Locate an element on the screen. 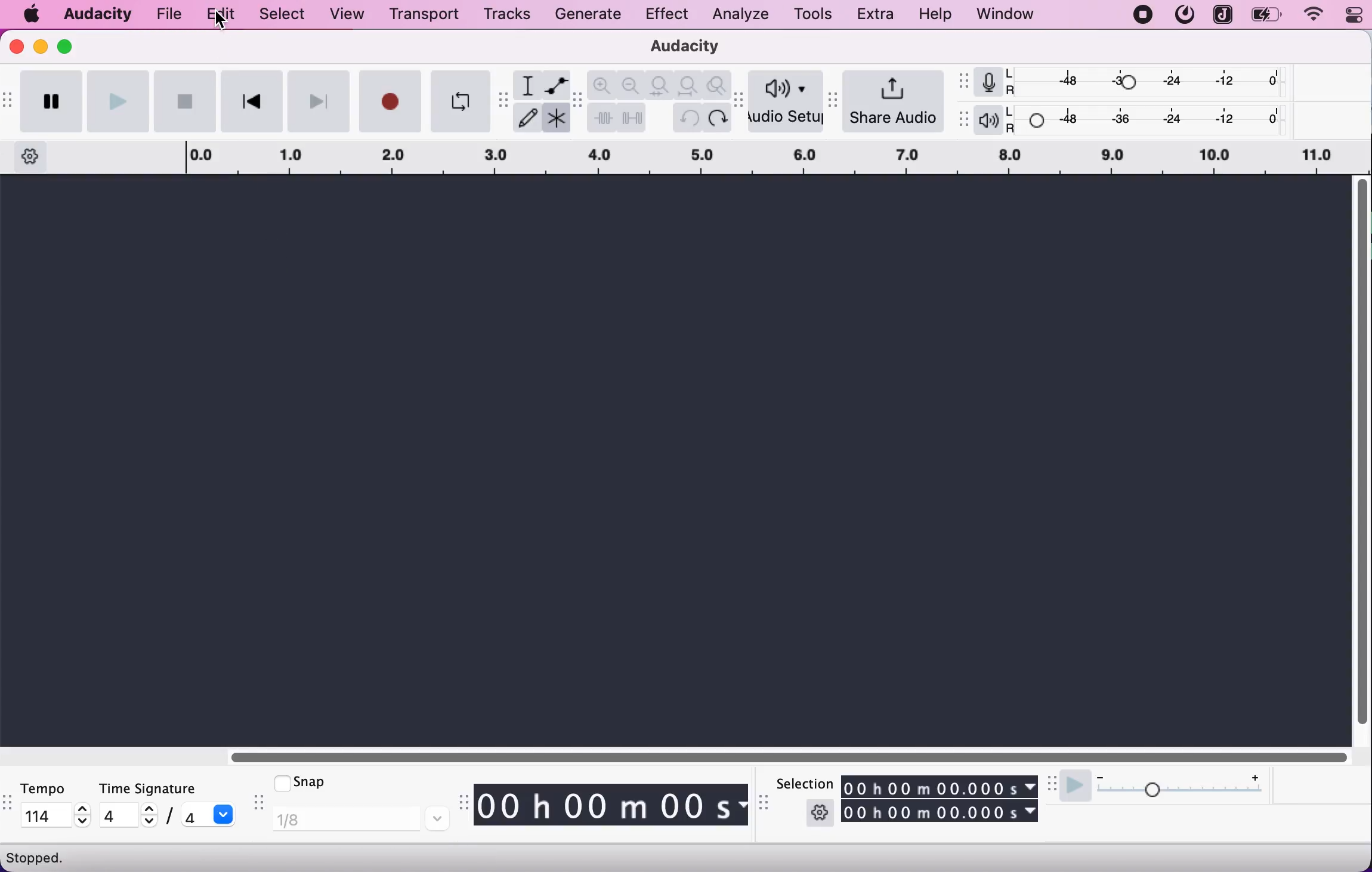 This screenshot has height=872, width=1372. trim audio outside selection is located at coordinates (602, 119).